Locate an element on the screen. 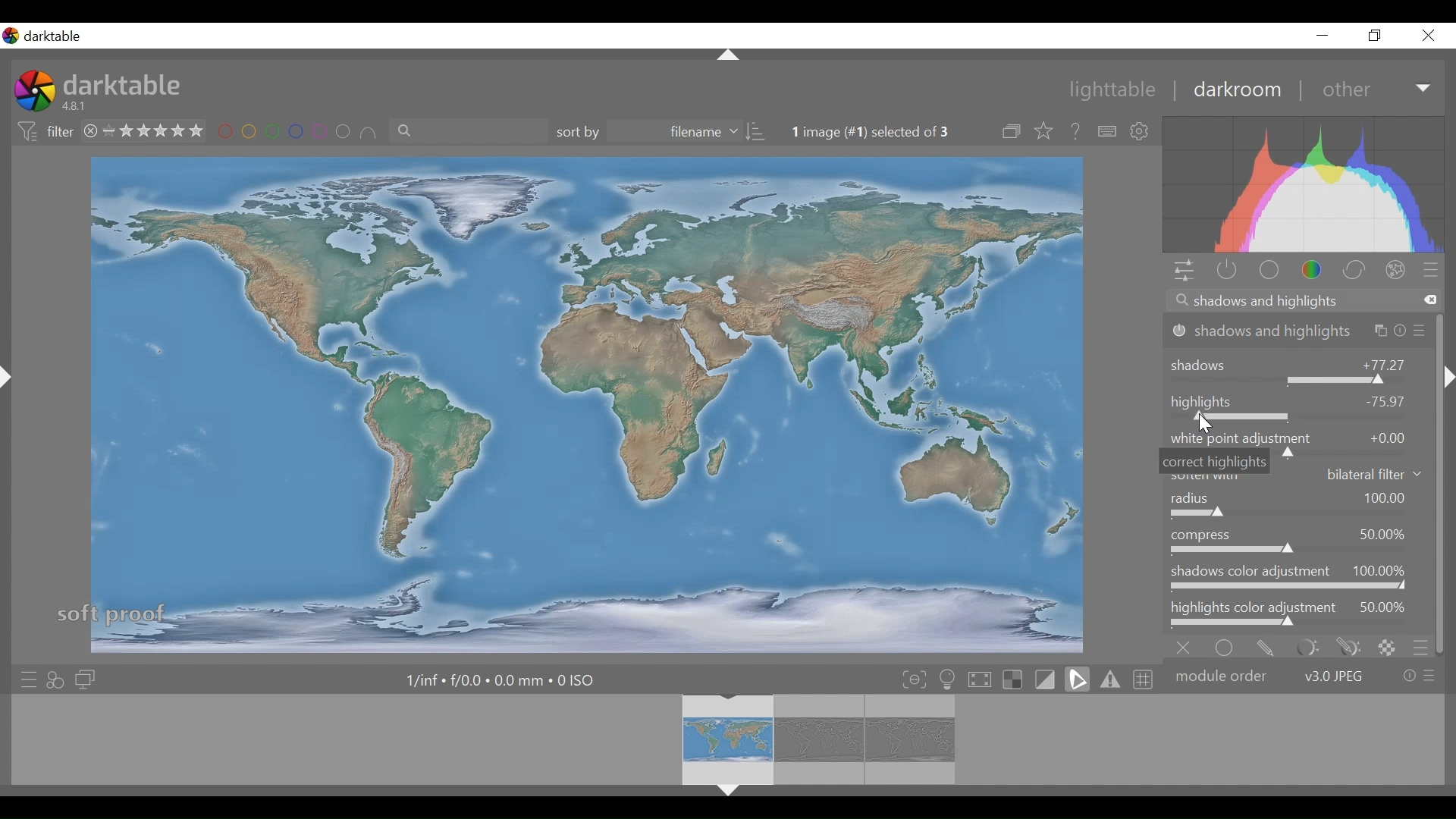 The width and height of the screenshot is (1456, 819). restore is located at coordinates (1378, 37).